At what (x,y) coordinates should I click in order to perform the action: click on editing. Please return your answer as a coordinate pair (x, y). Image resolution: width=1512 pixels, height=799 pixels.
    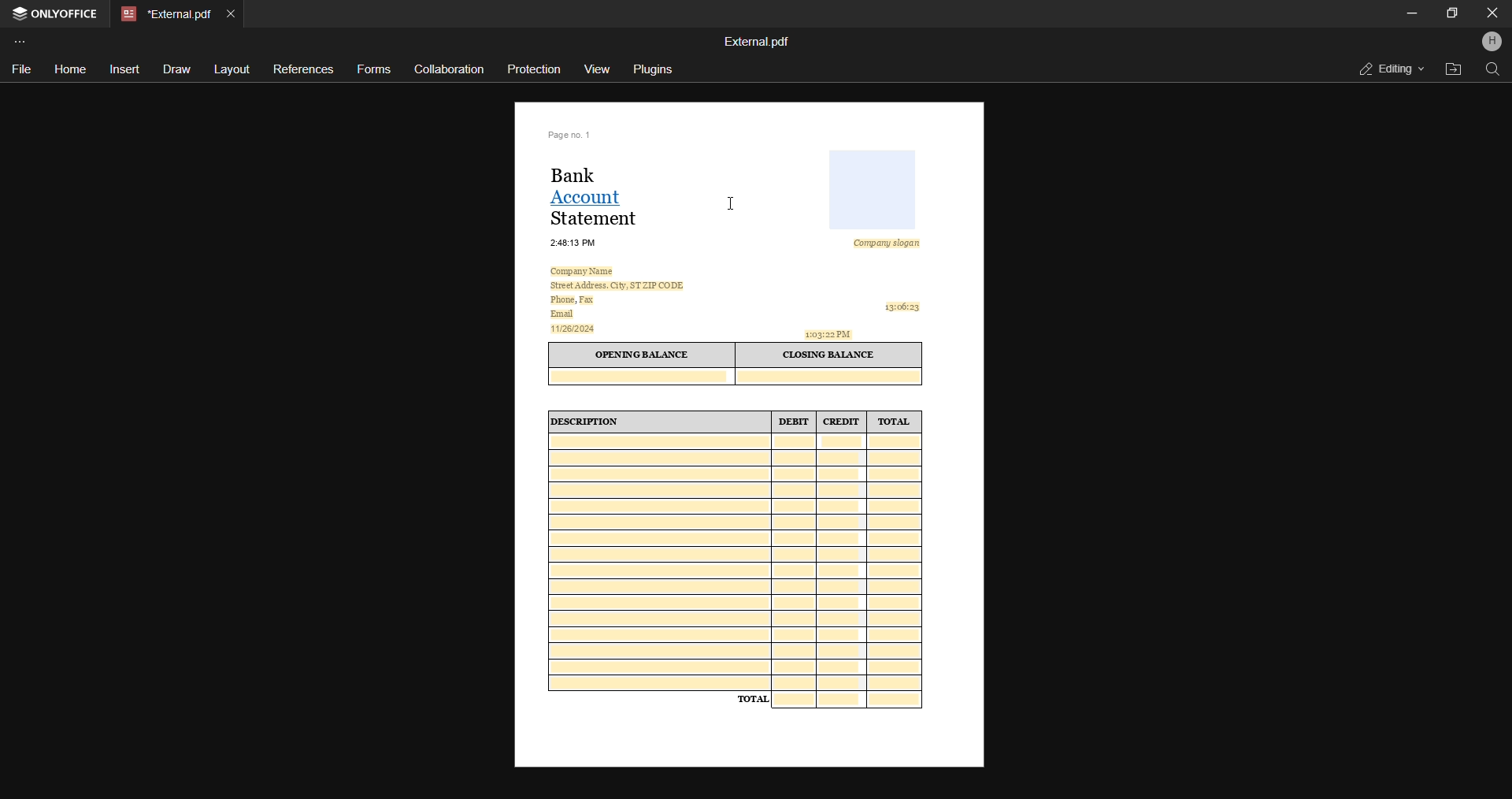
    Looking at the image, I should click on (1386, 69).